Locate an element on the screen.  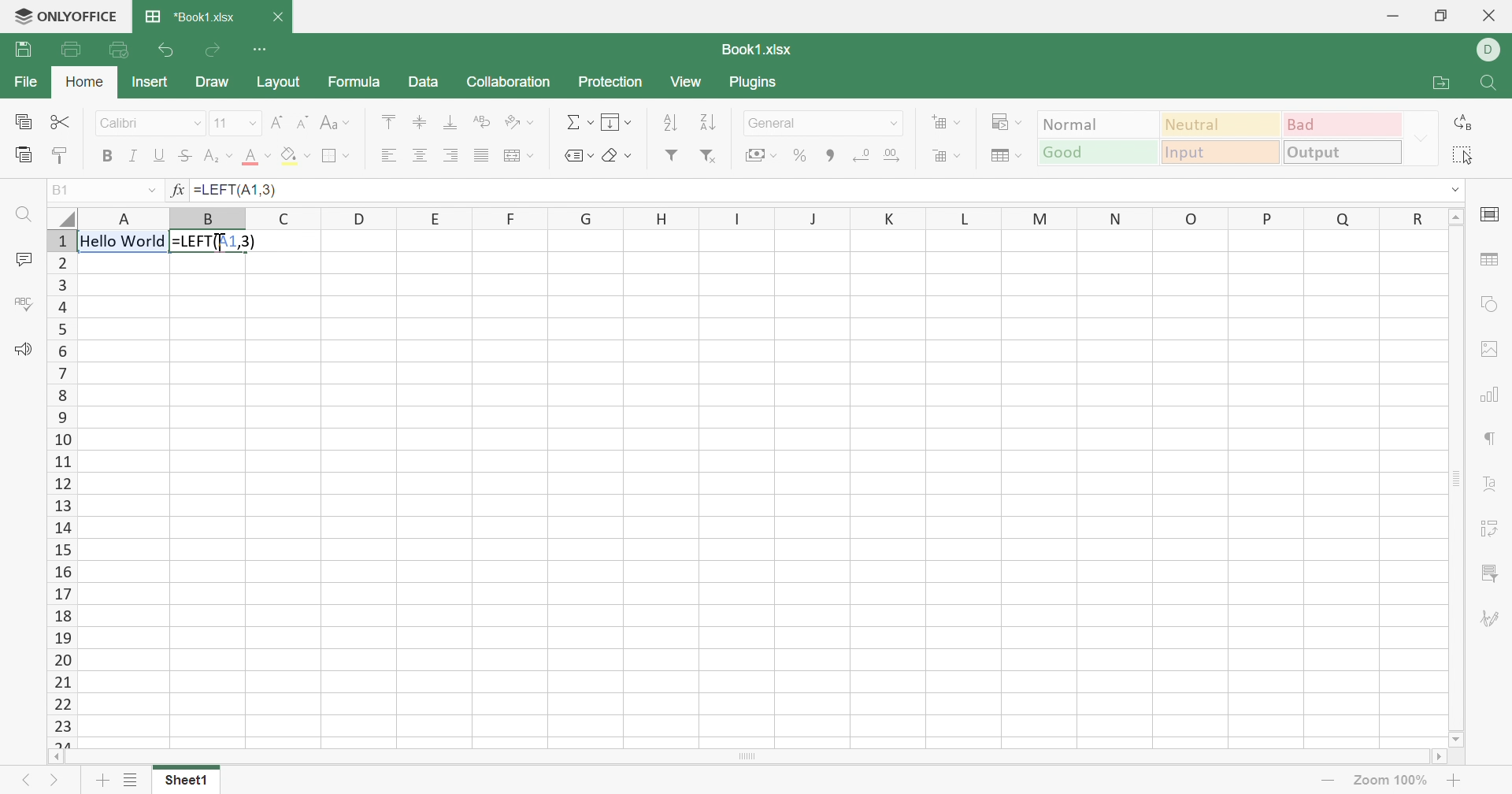
Named ranges is located at coordinates (579, 155).